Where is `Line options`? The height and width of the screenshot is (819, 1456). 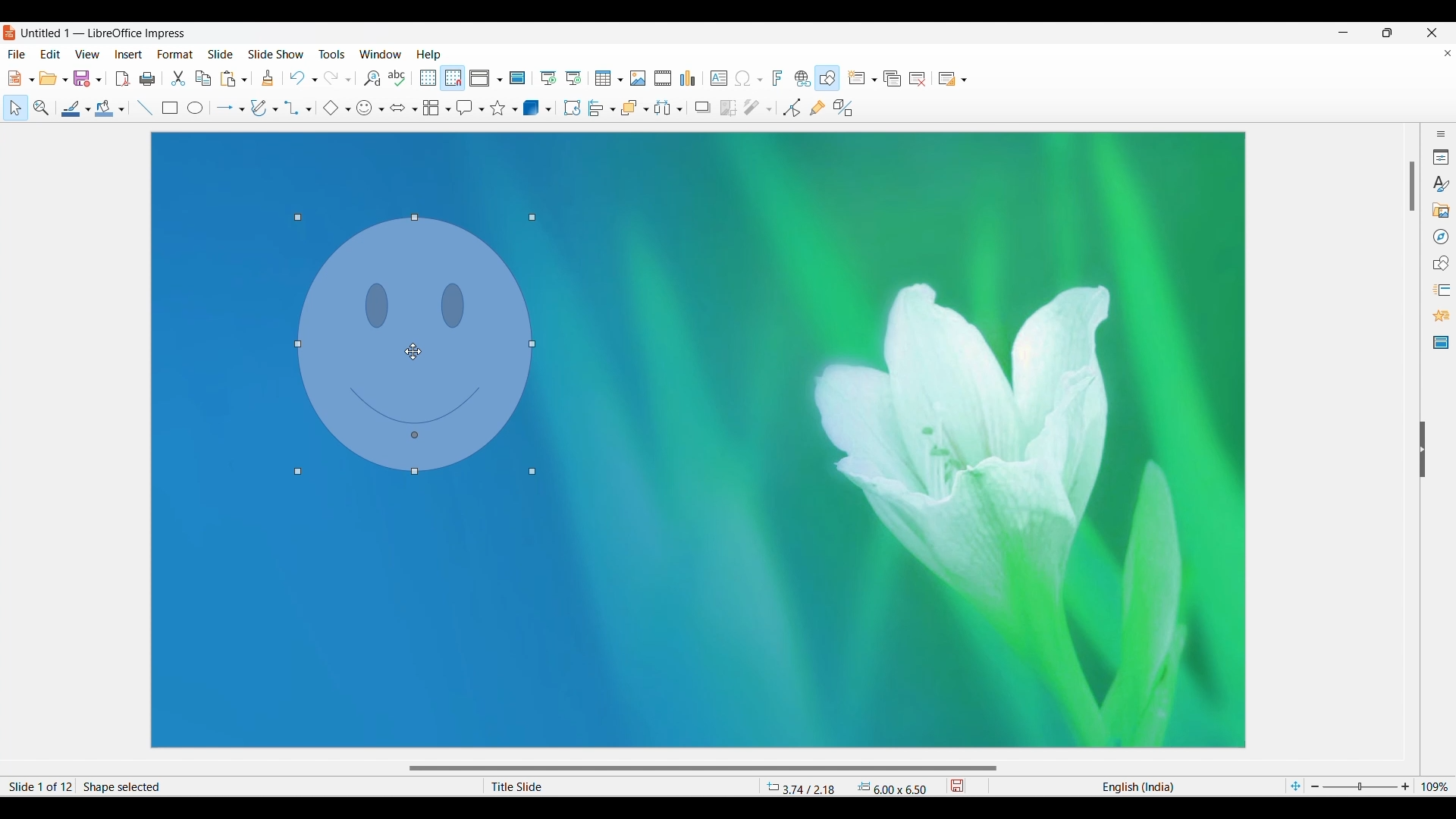 Line options is located at coordinates (88, 110).